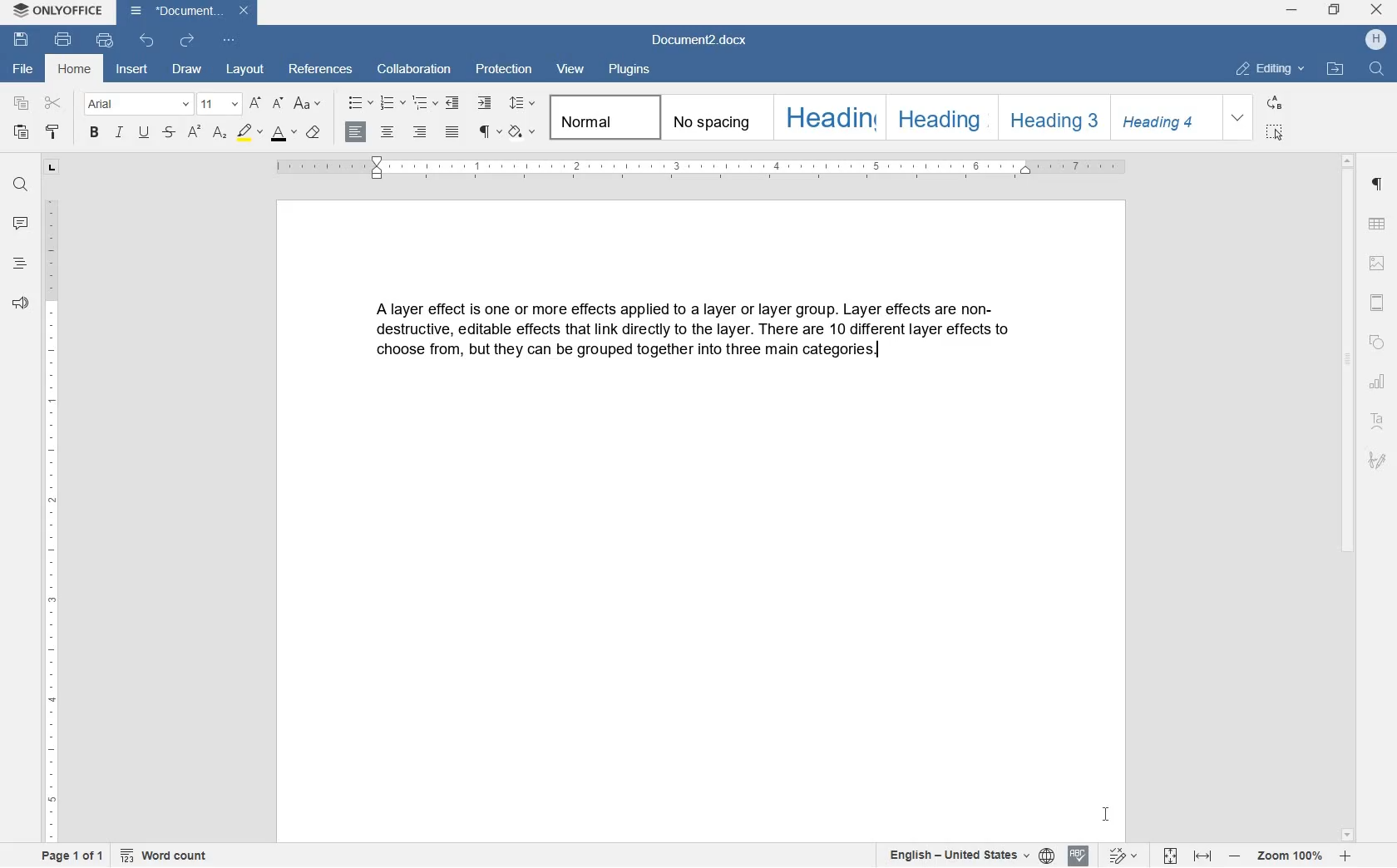 The width and height of the screenshot is (1397, 868). Describe the element at coordinates (254, 104) in the screenshot. I see `INCREMENT FONT SIZE` at that location.